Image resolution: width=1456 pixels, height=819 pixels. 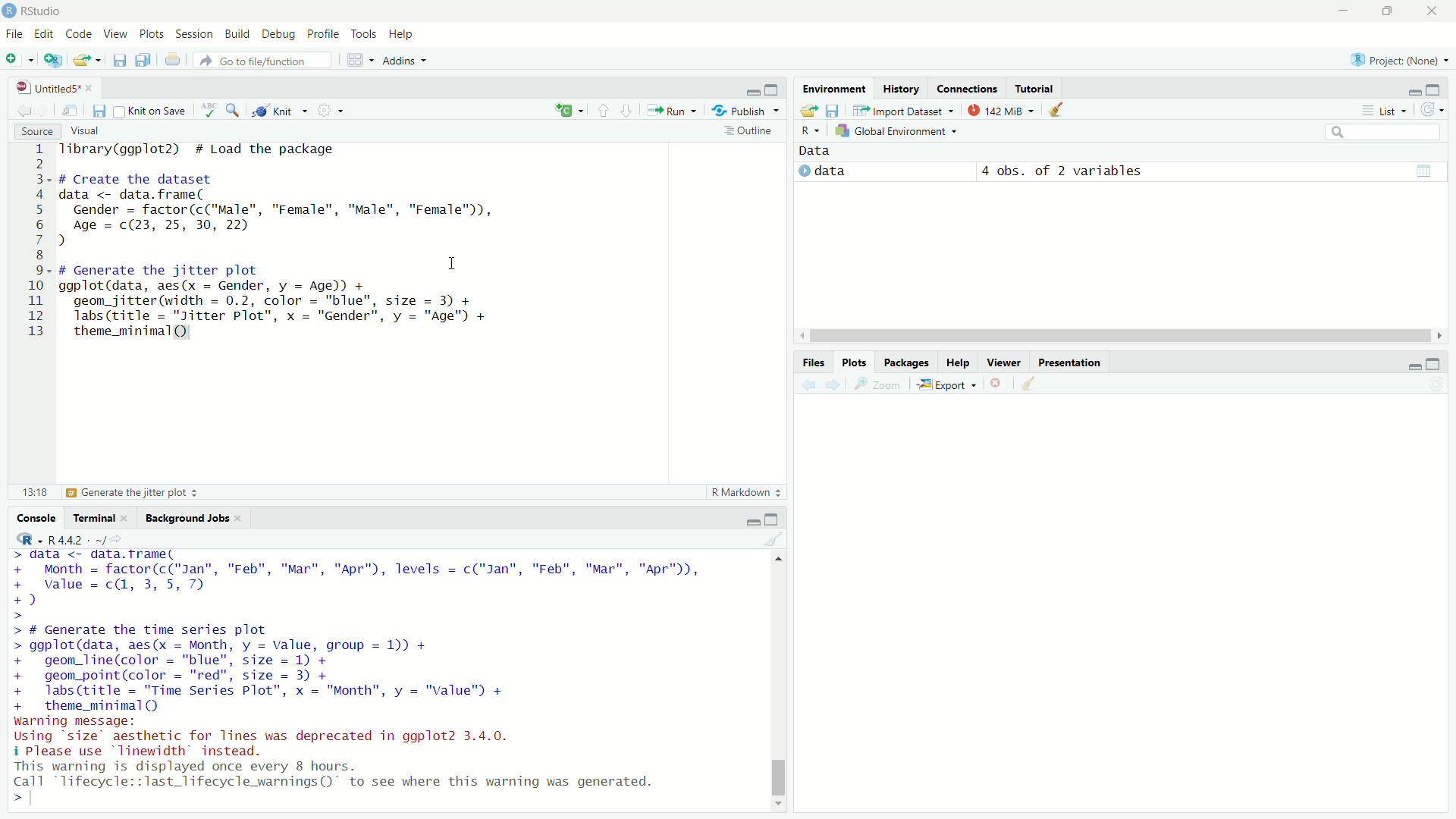 What do you see at coordinates (1426, 170) in the screenshot?
I see `table` at bounding box center [1426, 170].